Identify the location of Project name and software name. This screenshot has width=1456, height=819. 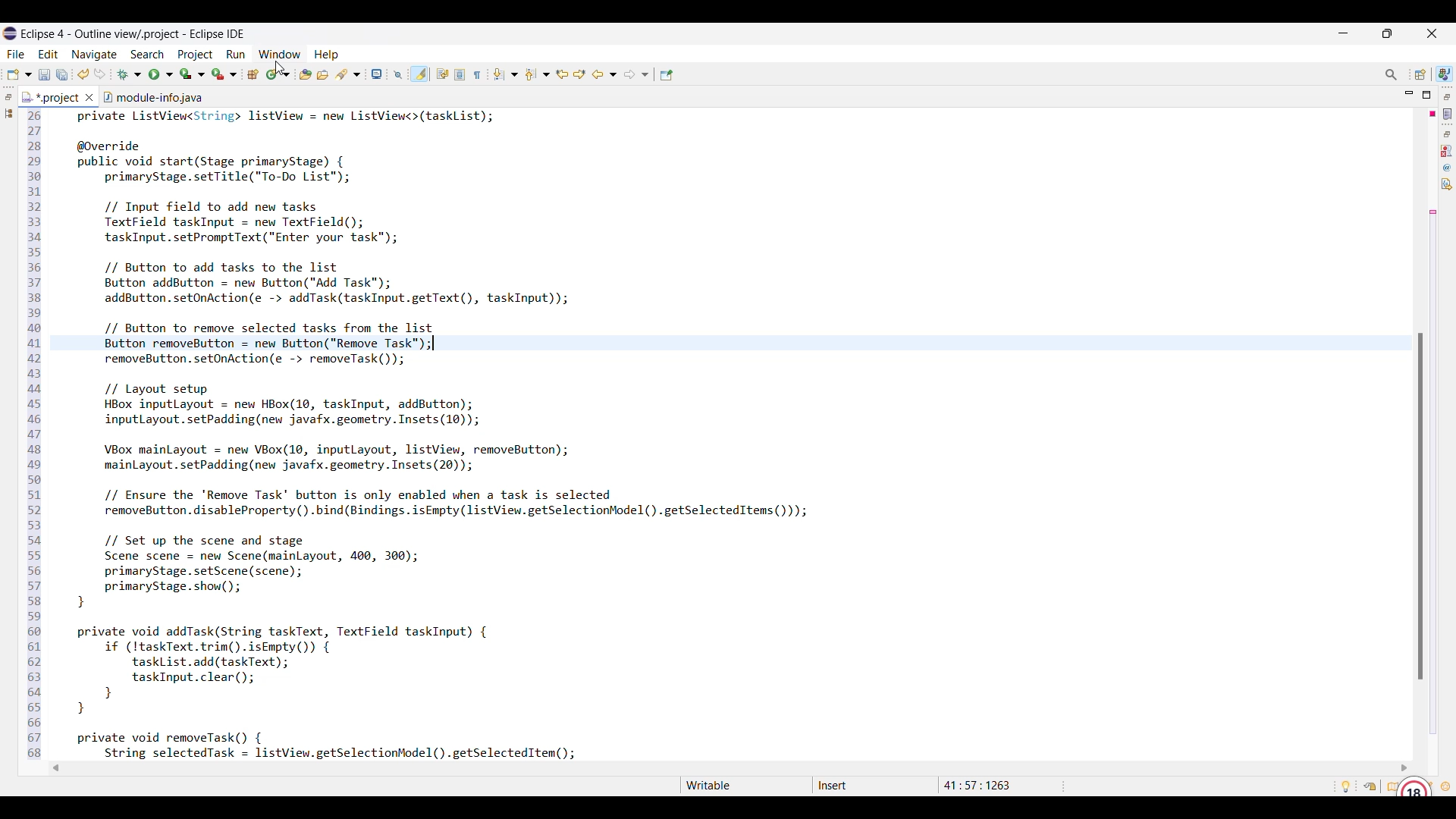
(133, 34).